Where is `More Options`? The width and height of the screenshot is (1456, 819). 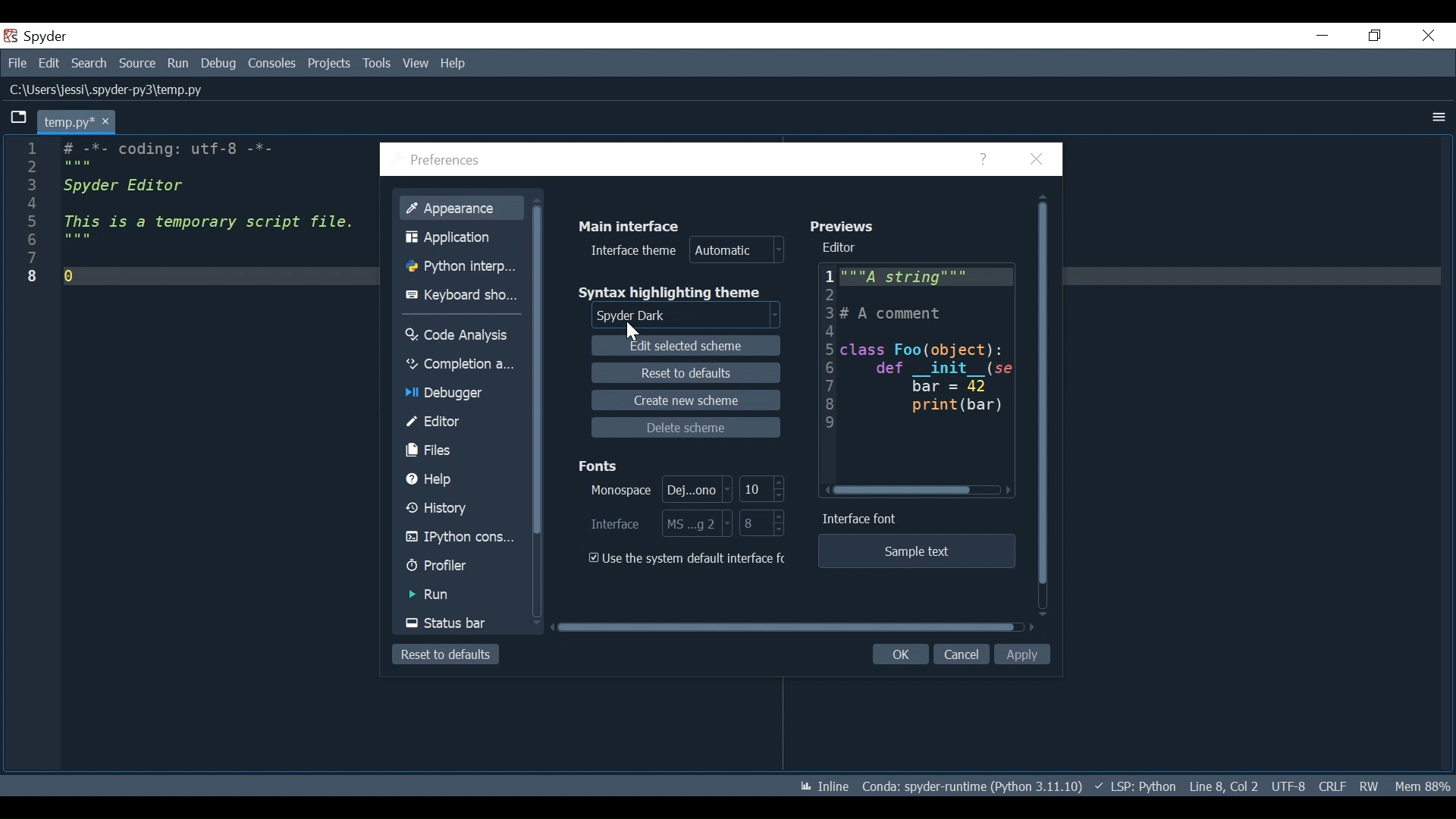
More Options is located at coordinates (1437, 115).